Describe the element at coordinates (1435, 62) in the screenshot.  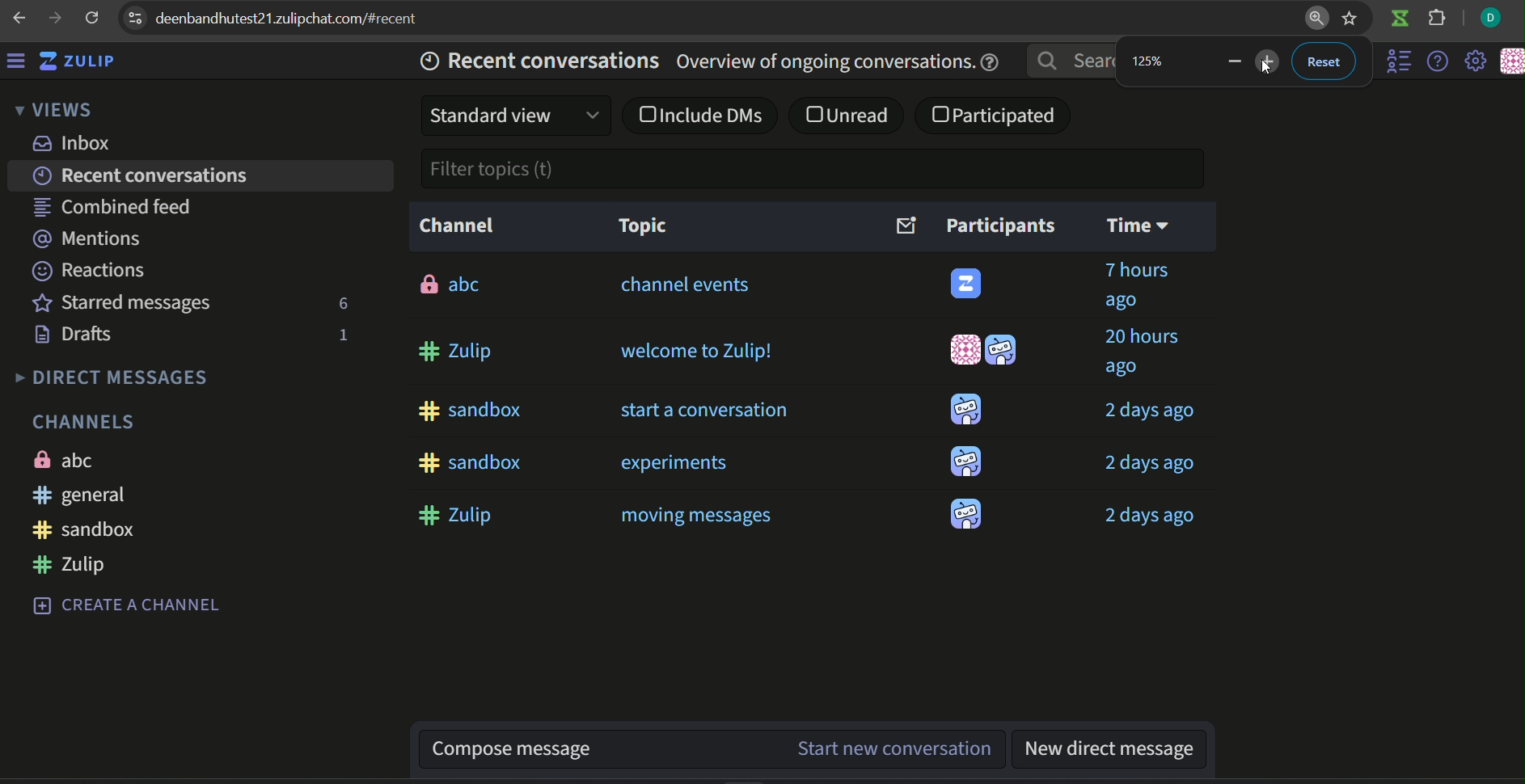
I see `help` at that location.